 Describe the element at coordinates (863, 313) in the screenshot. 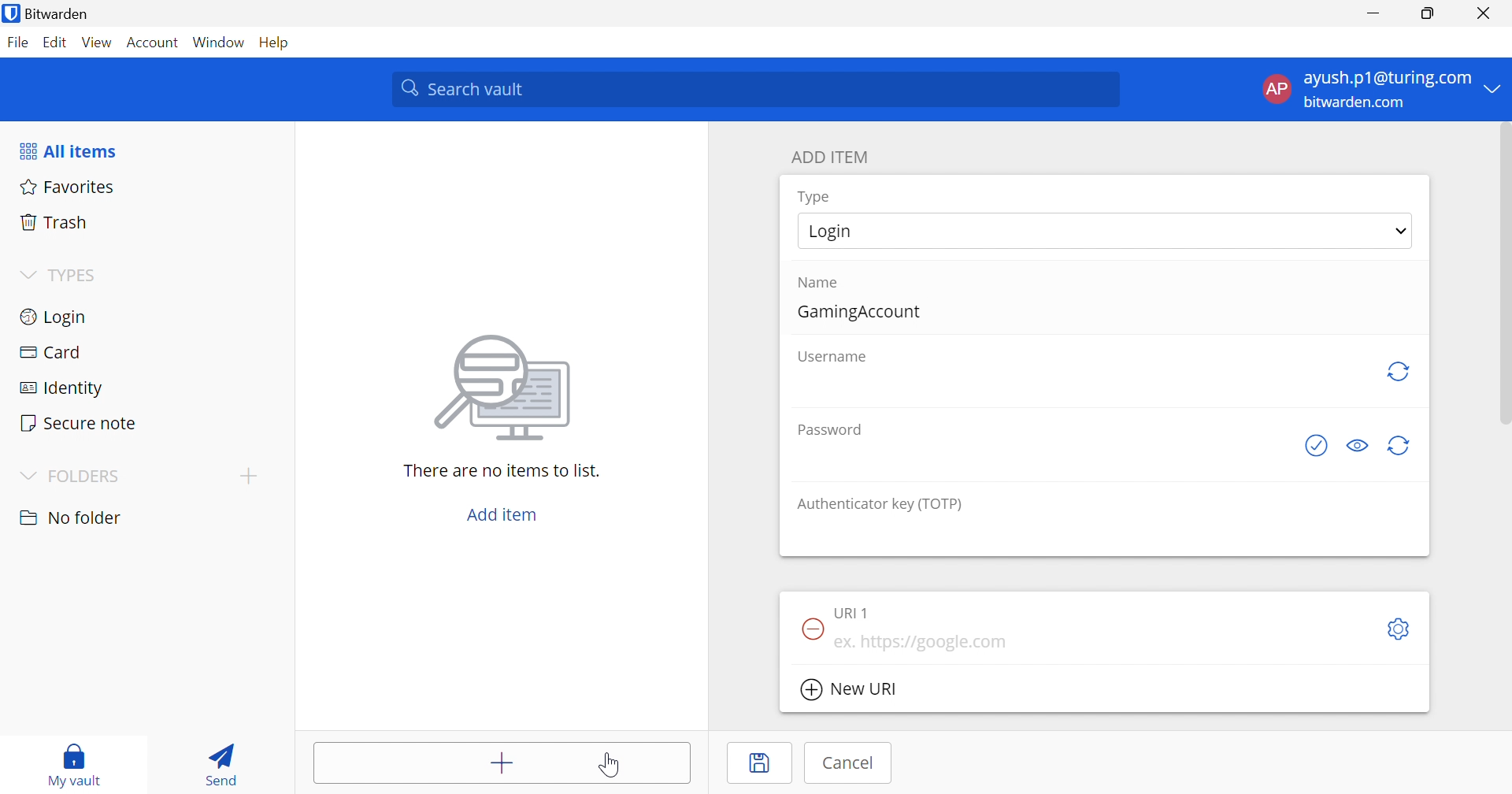

I see `GamingAccount` at that location.